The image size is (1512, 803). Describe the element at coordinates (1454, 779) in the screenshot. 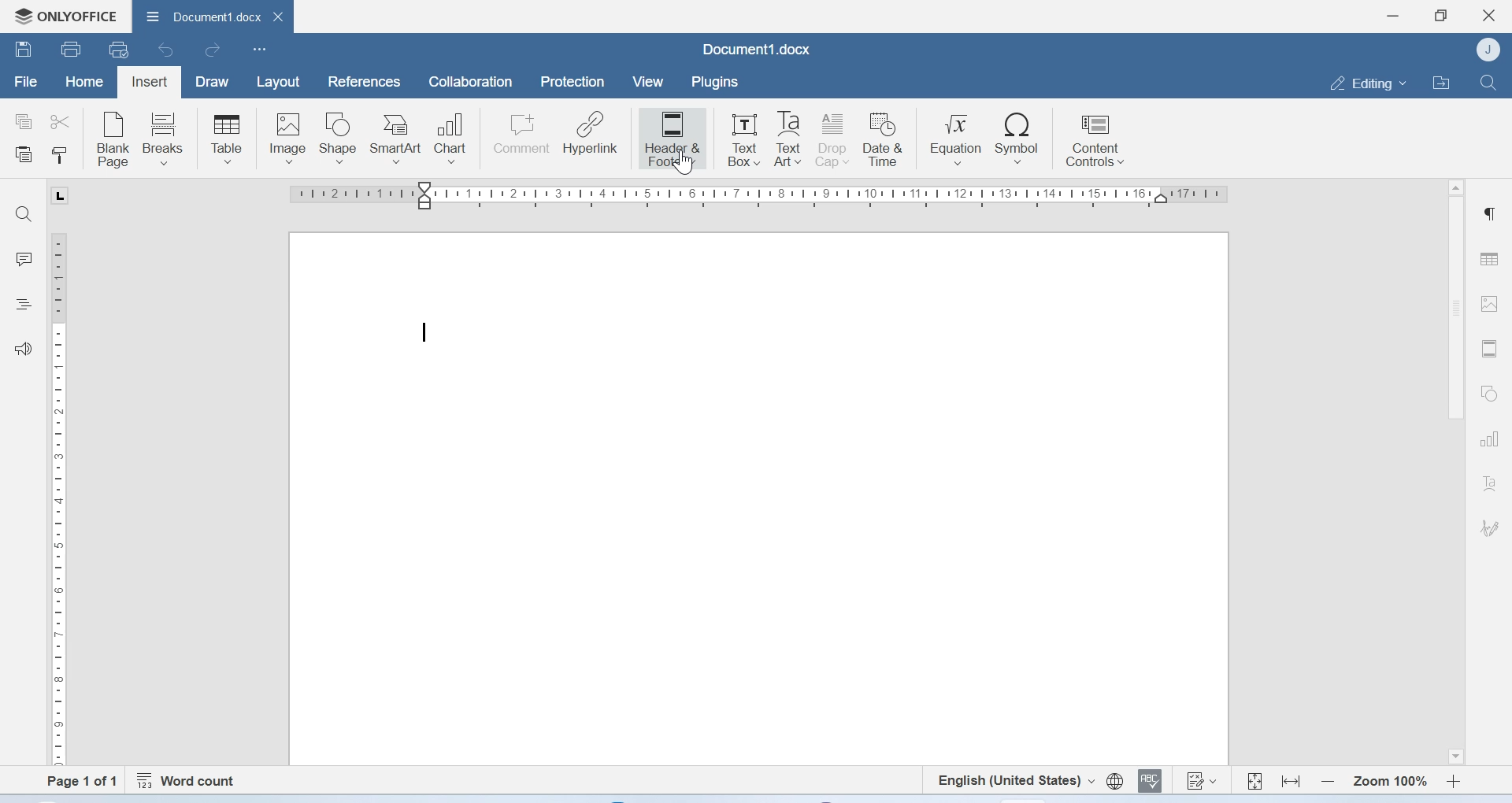

I see `Zoom in` at that location.